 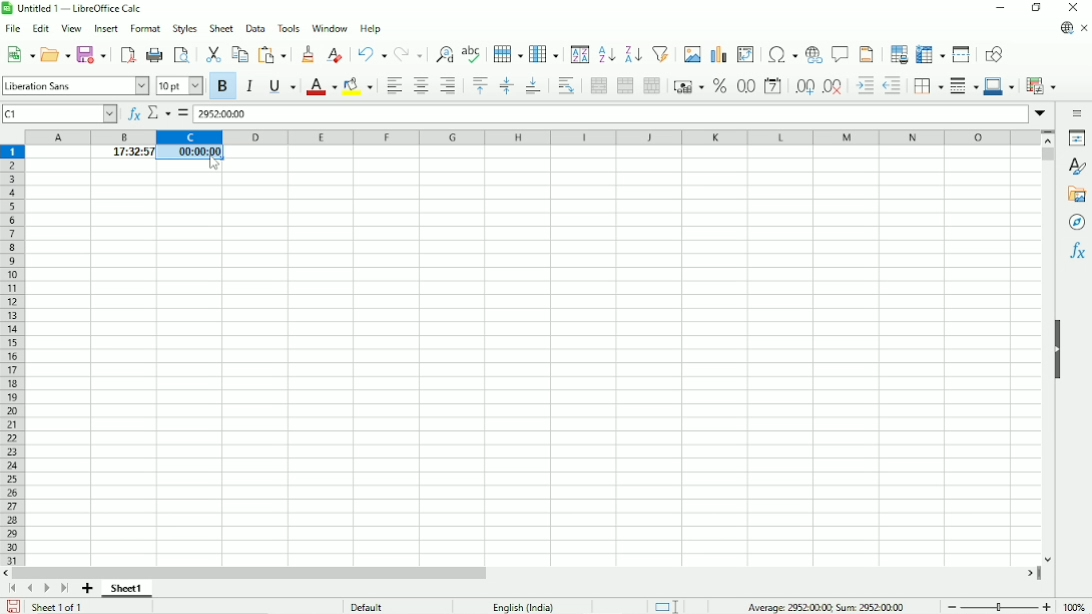 I want to click on Cell name, so click(x=59, y=113).